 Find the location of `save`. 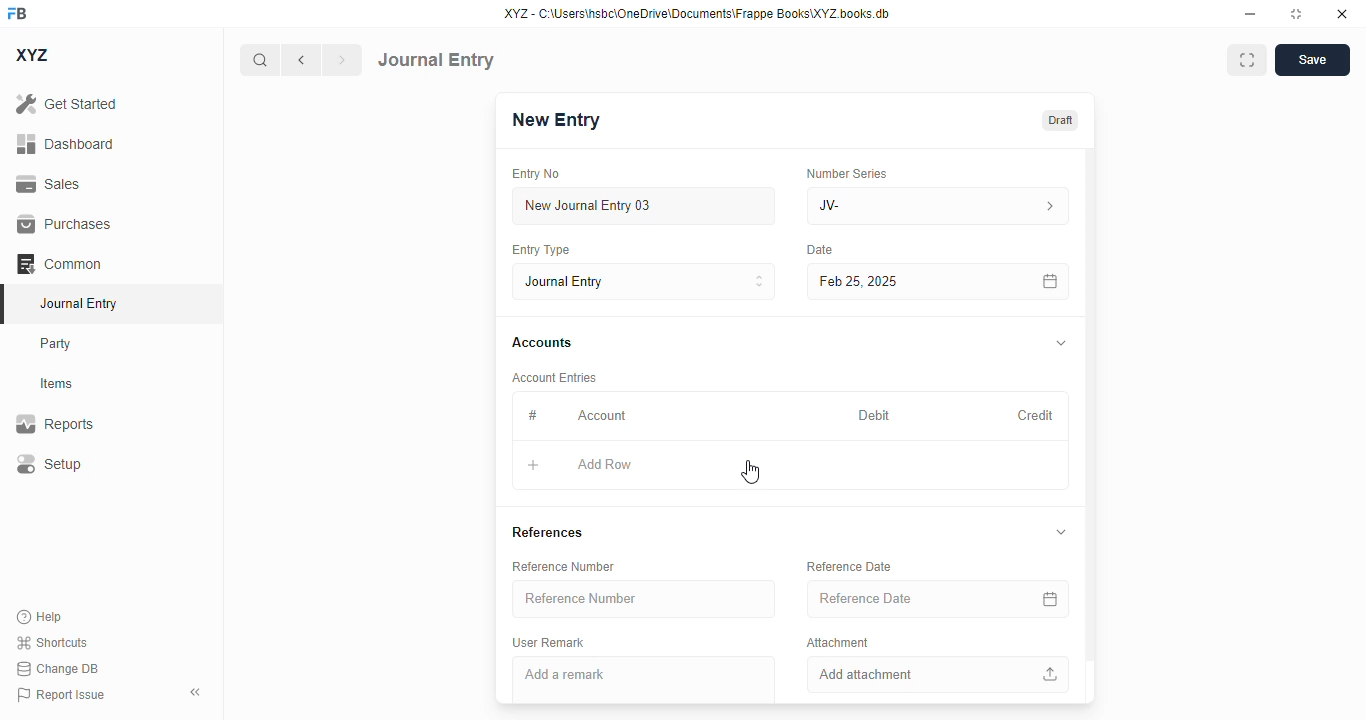

save is located at coordinates (1313, 60).